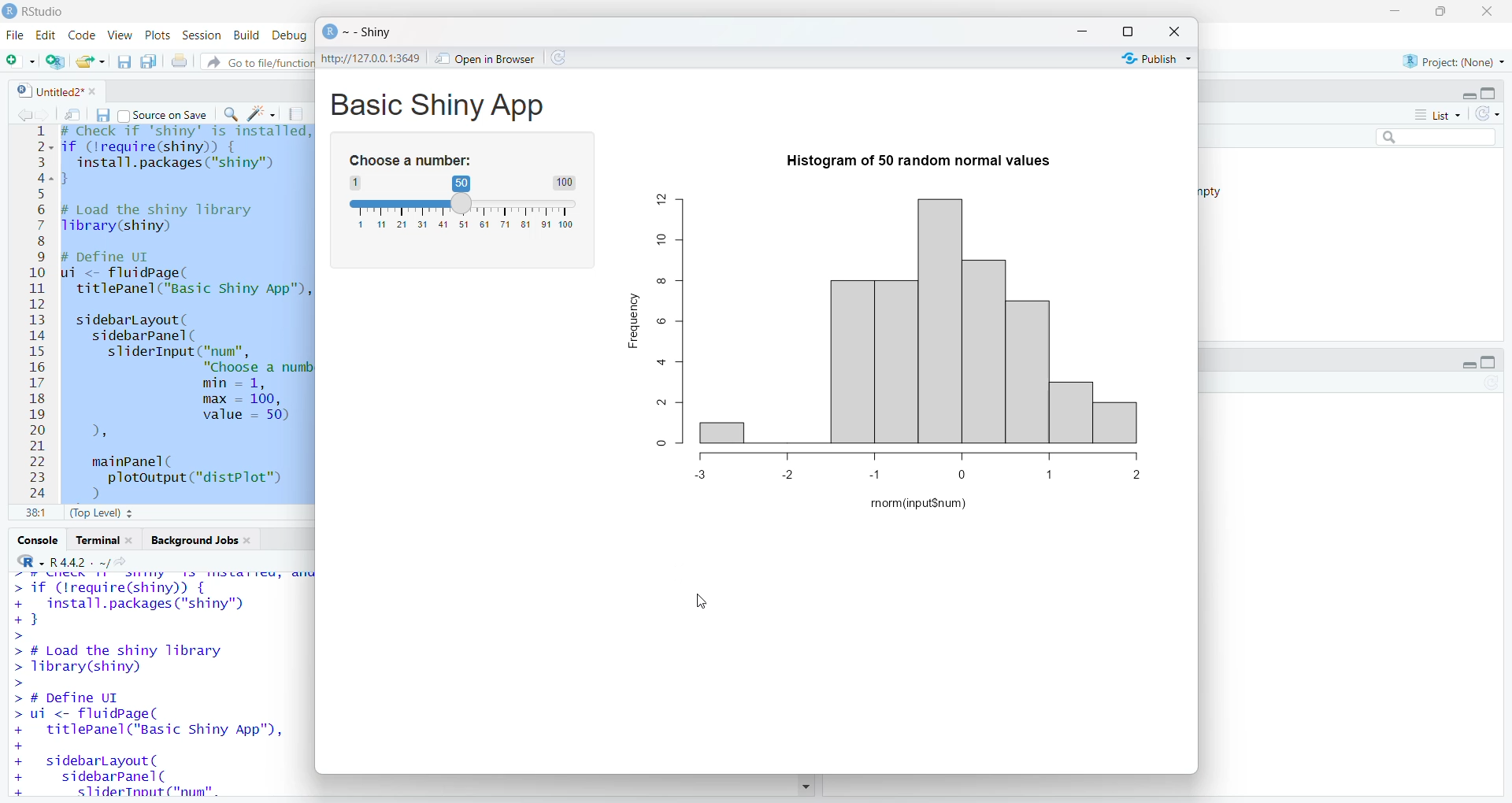 The height and width of the screenshot is (803, 1512). What do you see at coordinates (96, 91) in the screenshot?
I see `close` at bounding box center [96, 91].